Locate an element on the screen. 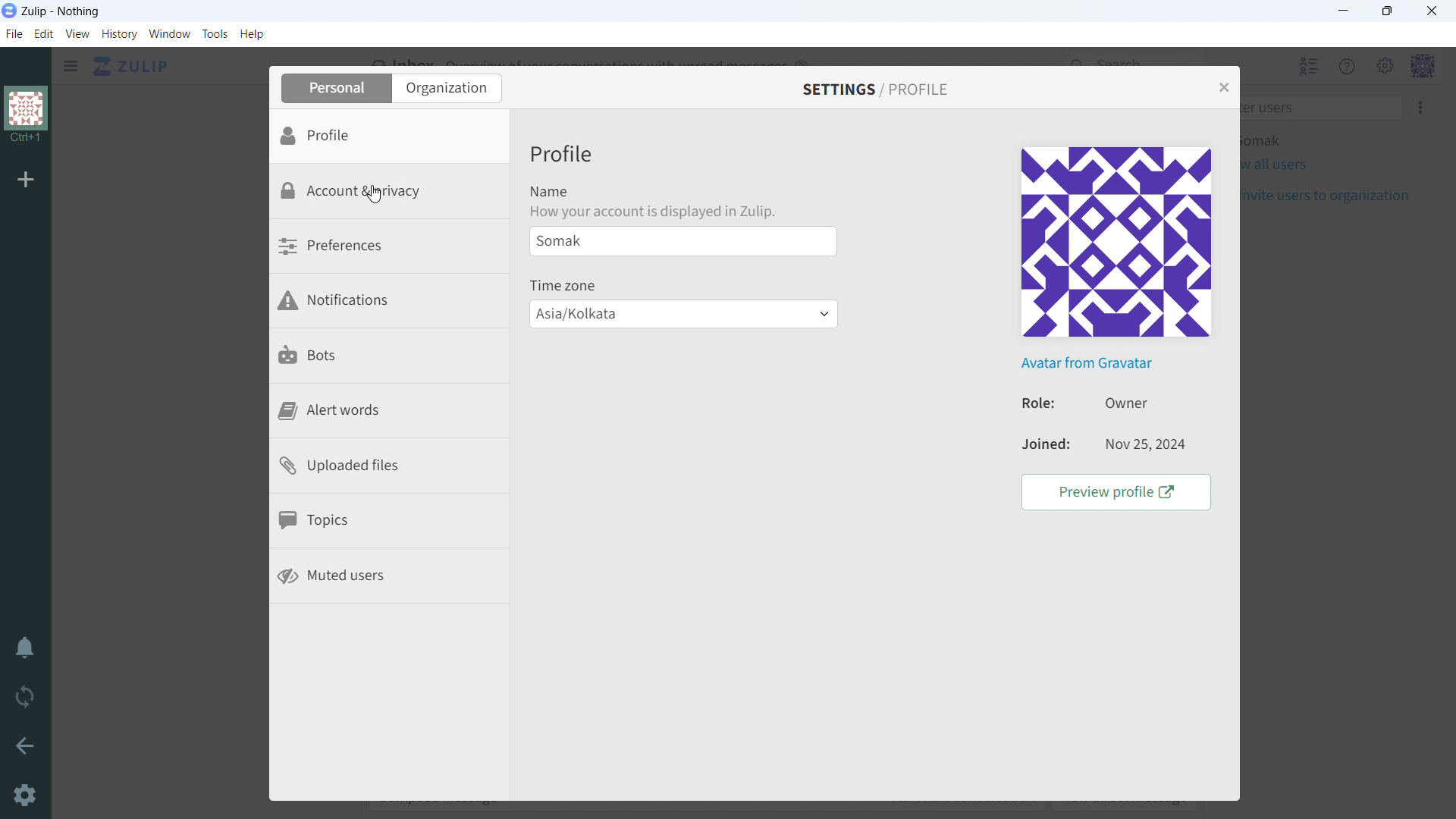 Image resolution: width=1456 pixels, height=819 pixels. view is located at coordinates (78, 33).